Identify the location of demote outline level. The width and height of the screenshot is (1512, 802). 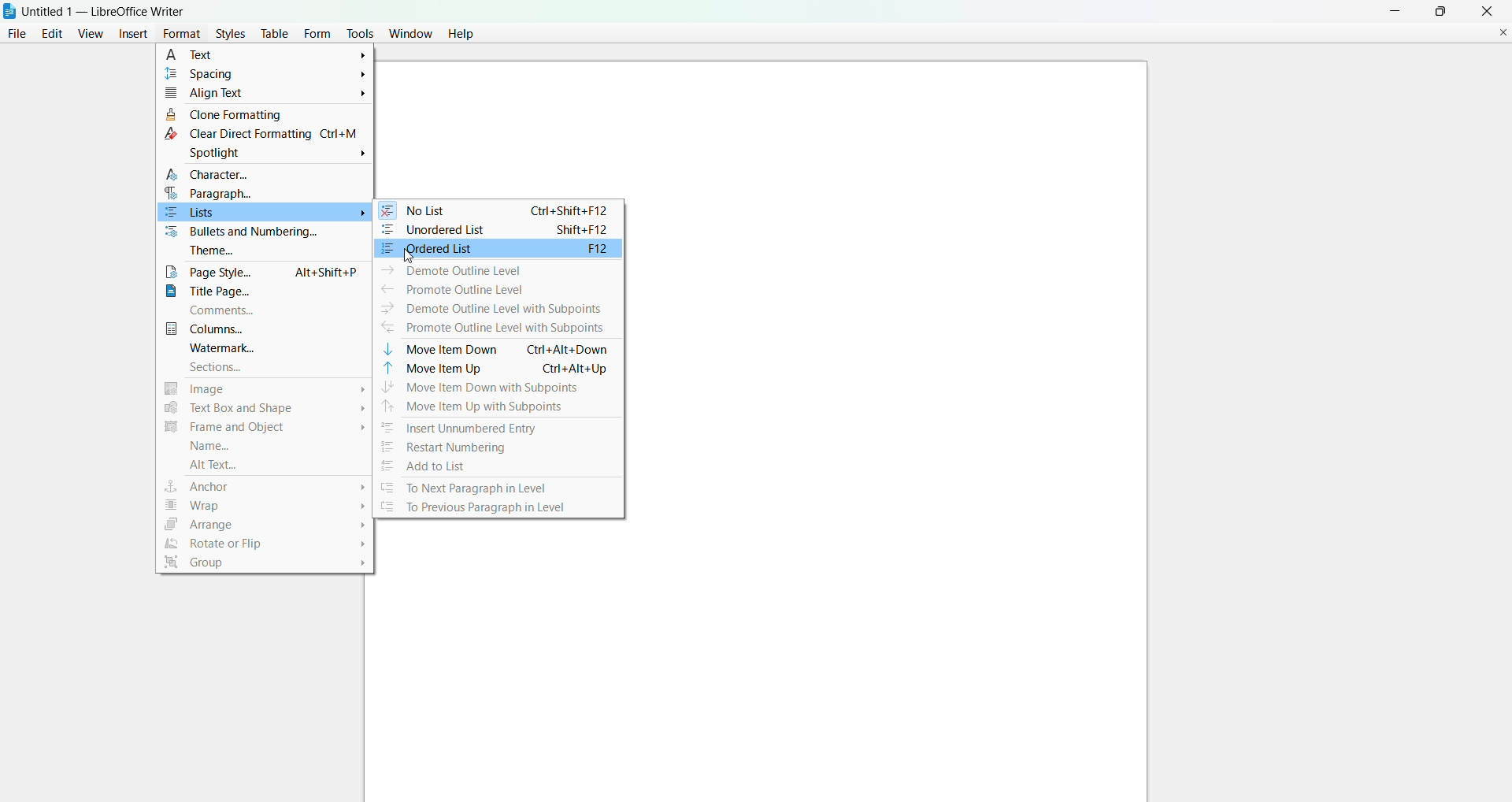
(464, 270).